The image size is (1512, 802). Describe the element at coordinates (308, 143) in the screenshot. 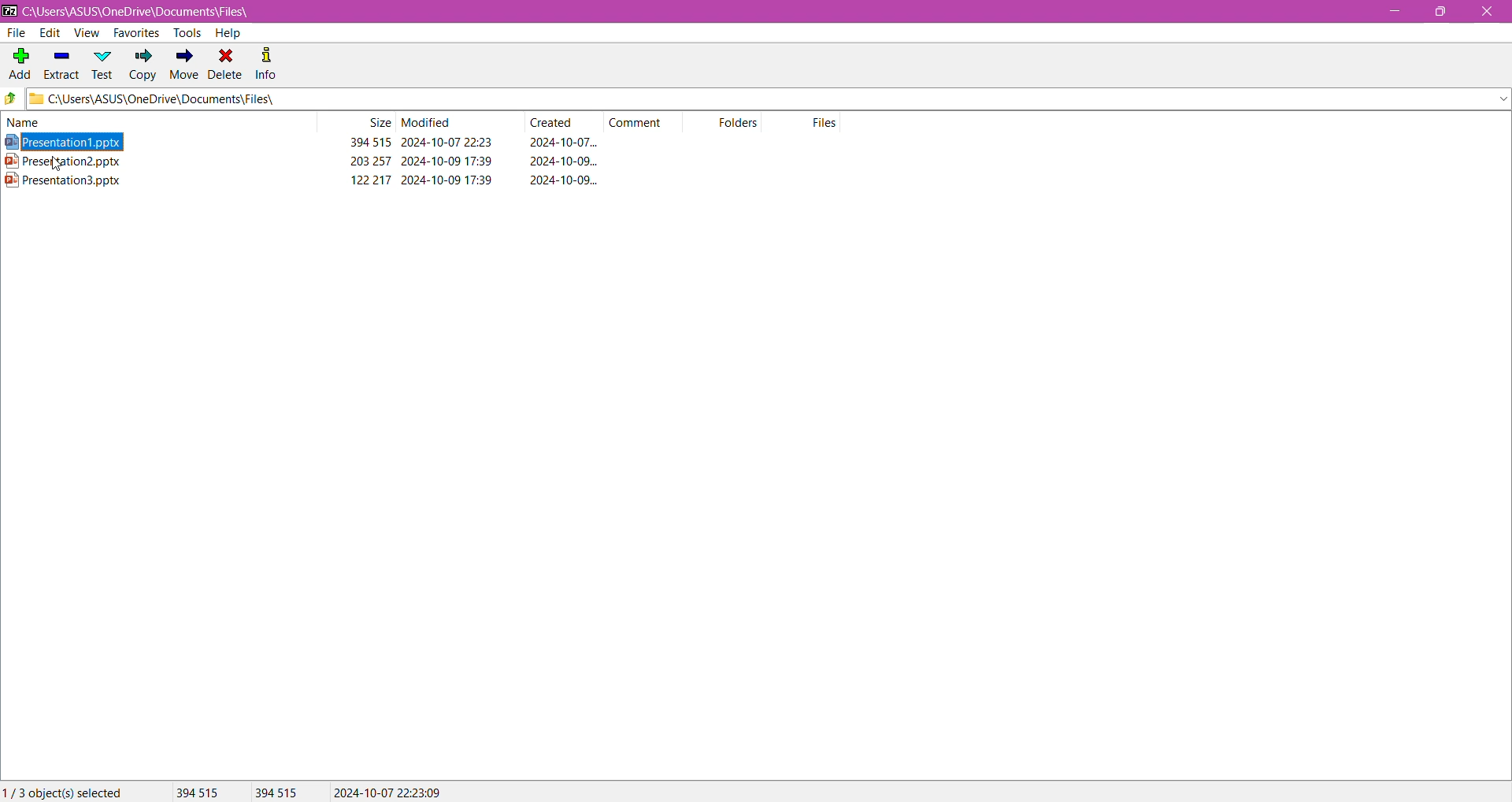

I see `Presentation1.pptx 394 515 2024-10-07 22:23 2024-10-07...` at that location.